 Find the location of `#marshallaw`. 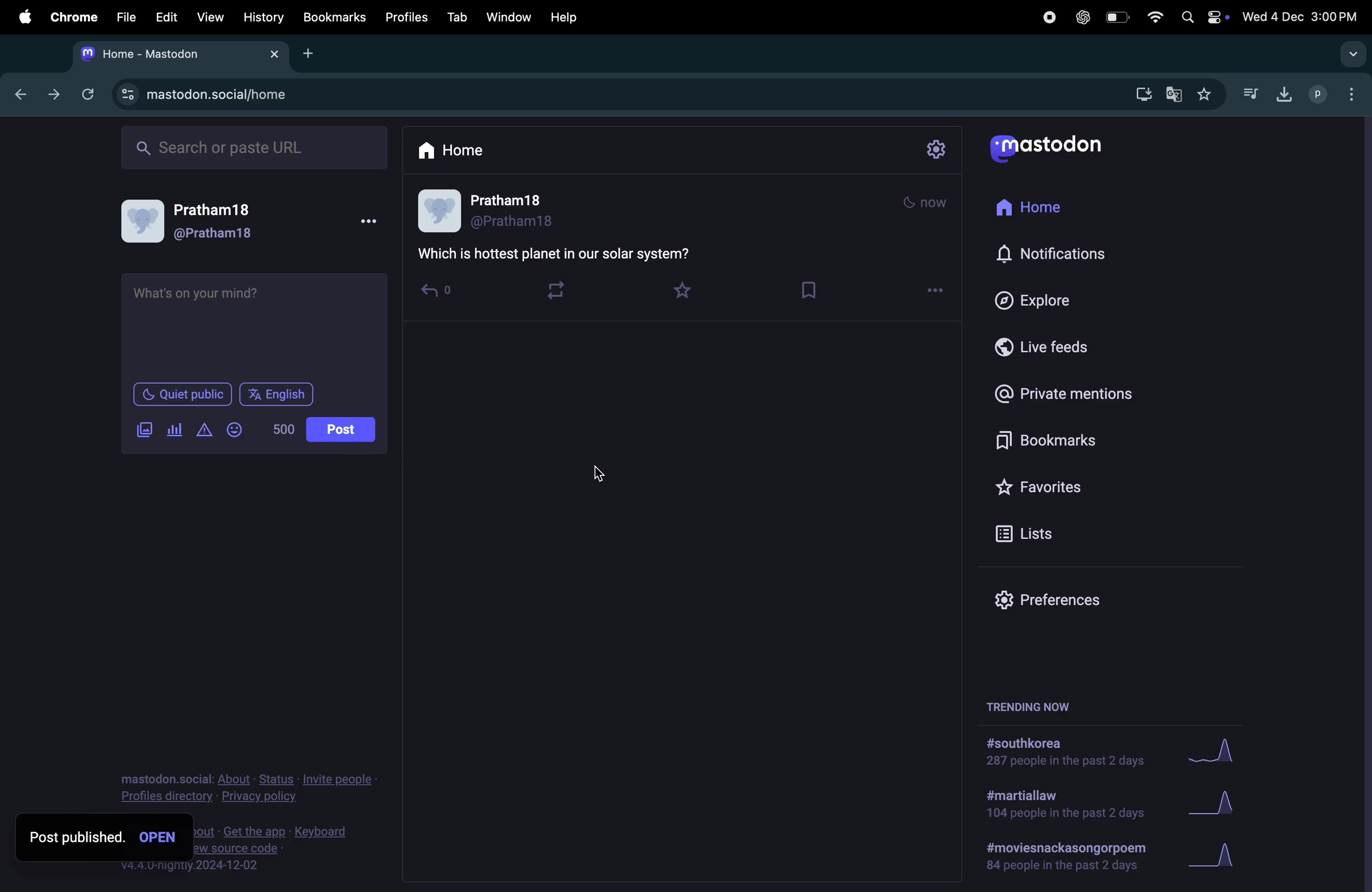

#marshallaw is located at coordinates (1065, 805).